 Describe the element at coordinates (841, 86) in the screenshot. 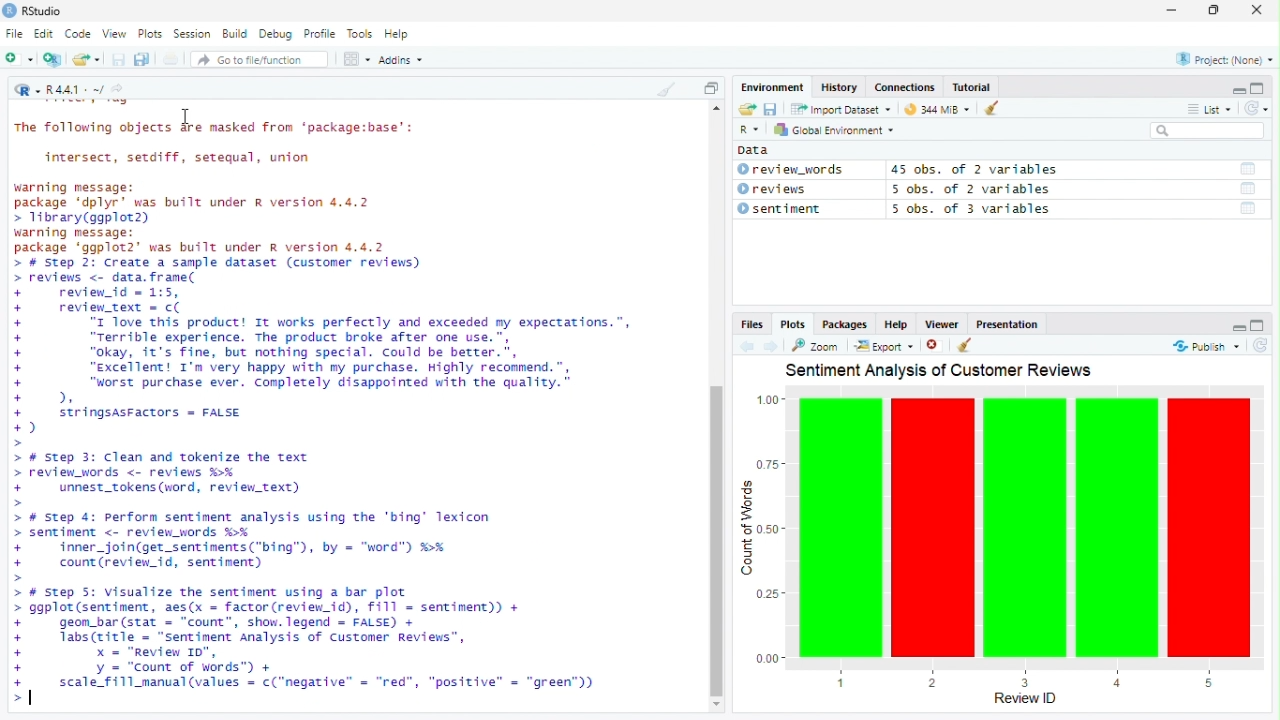

I see `History` at that location.